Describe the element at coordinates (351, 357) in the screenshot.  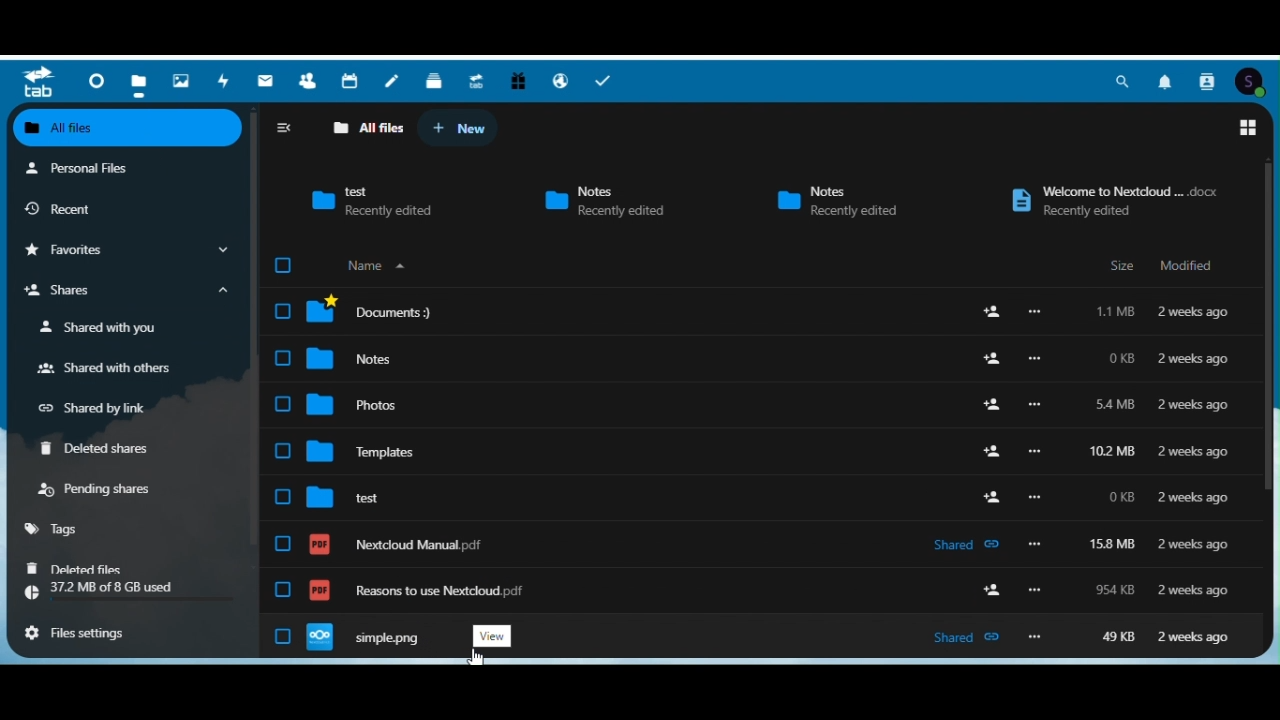
I see `notes` at that location.